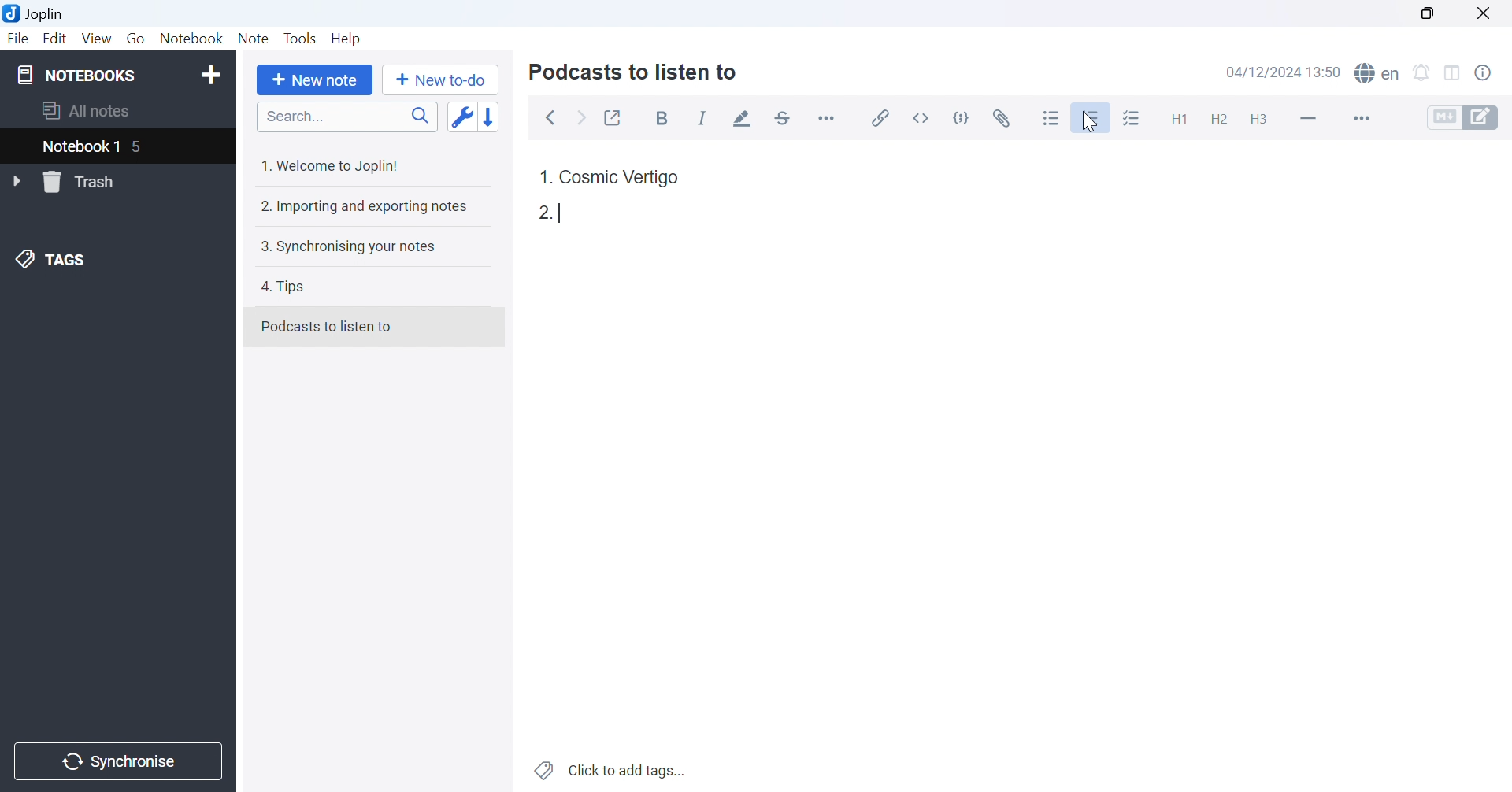  Describe the element at coordinates (192, 37) in the screenshot. I see `Notebook` at that location.